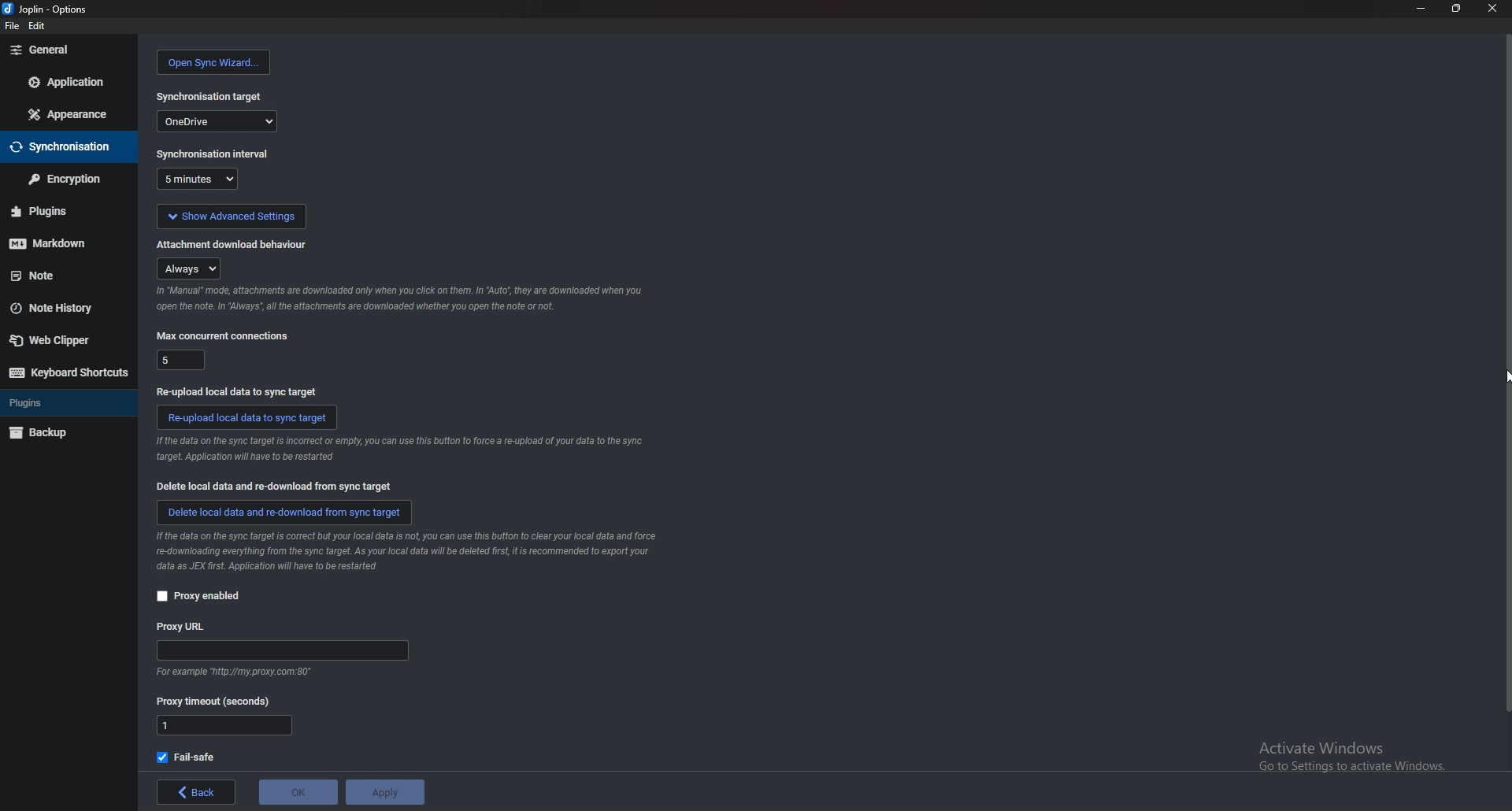 The width and height of the screenshot is (1512, 811). Describe the element at coordinates (411, 550) in the screenshot. I see `info` at that location.